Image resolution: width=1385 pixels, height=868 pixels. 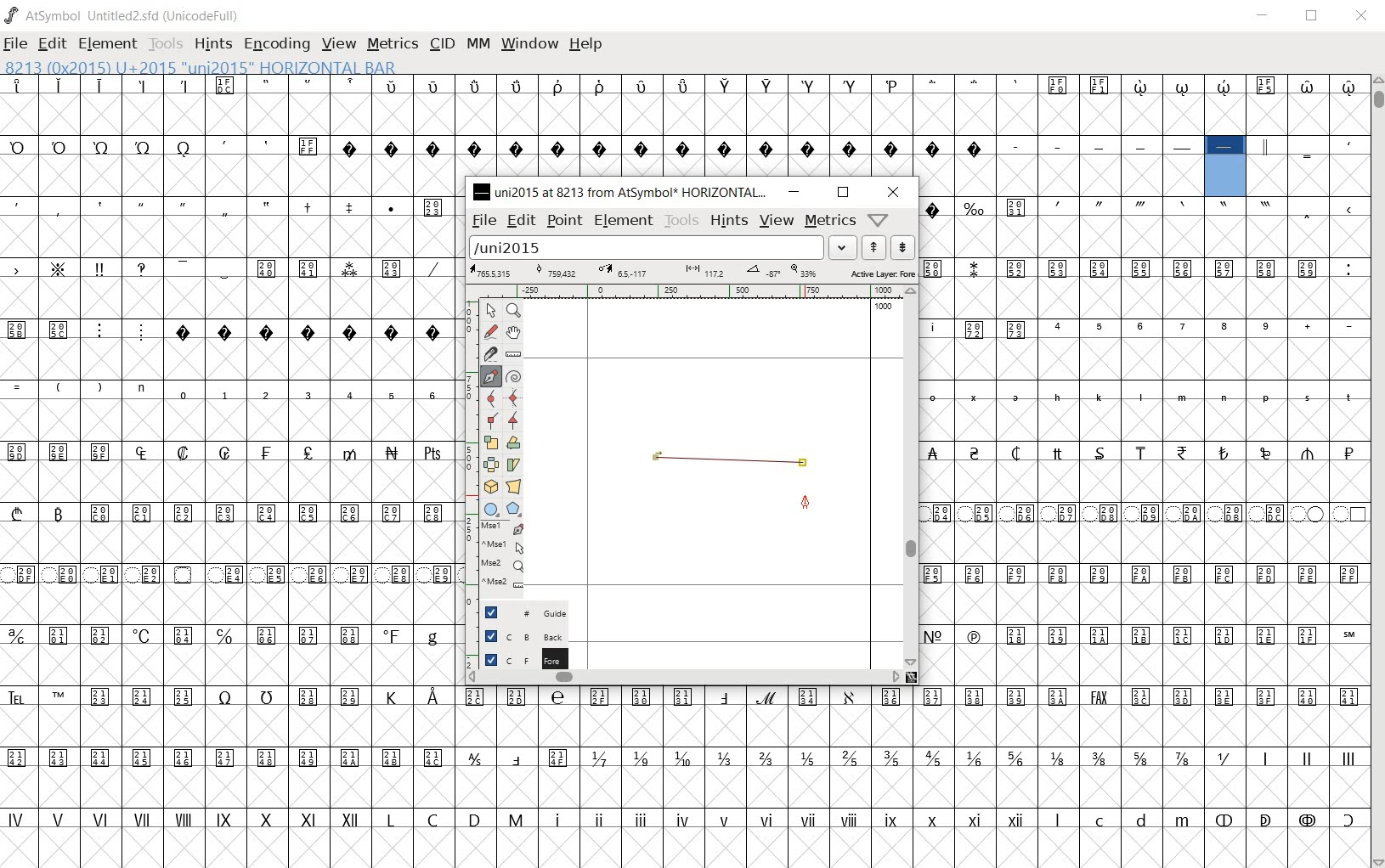 What do you see at coordinates (395, 45) in the screenshot?
I see `METRICS` at bounding box center [395, 45].